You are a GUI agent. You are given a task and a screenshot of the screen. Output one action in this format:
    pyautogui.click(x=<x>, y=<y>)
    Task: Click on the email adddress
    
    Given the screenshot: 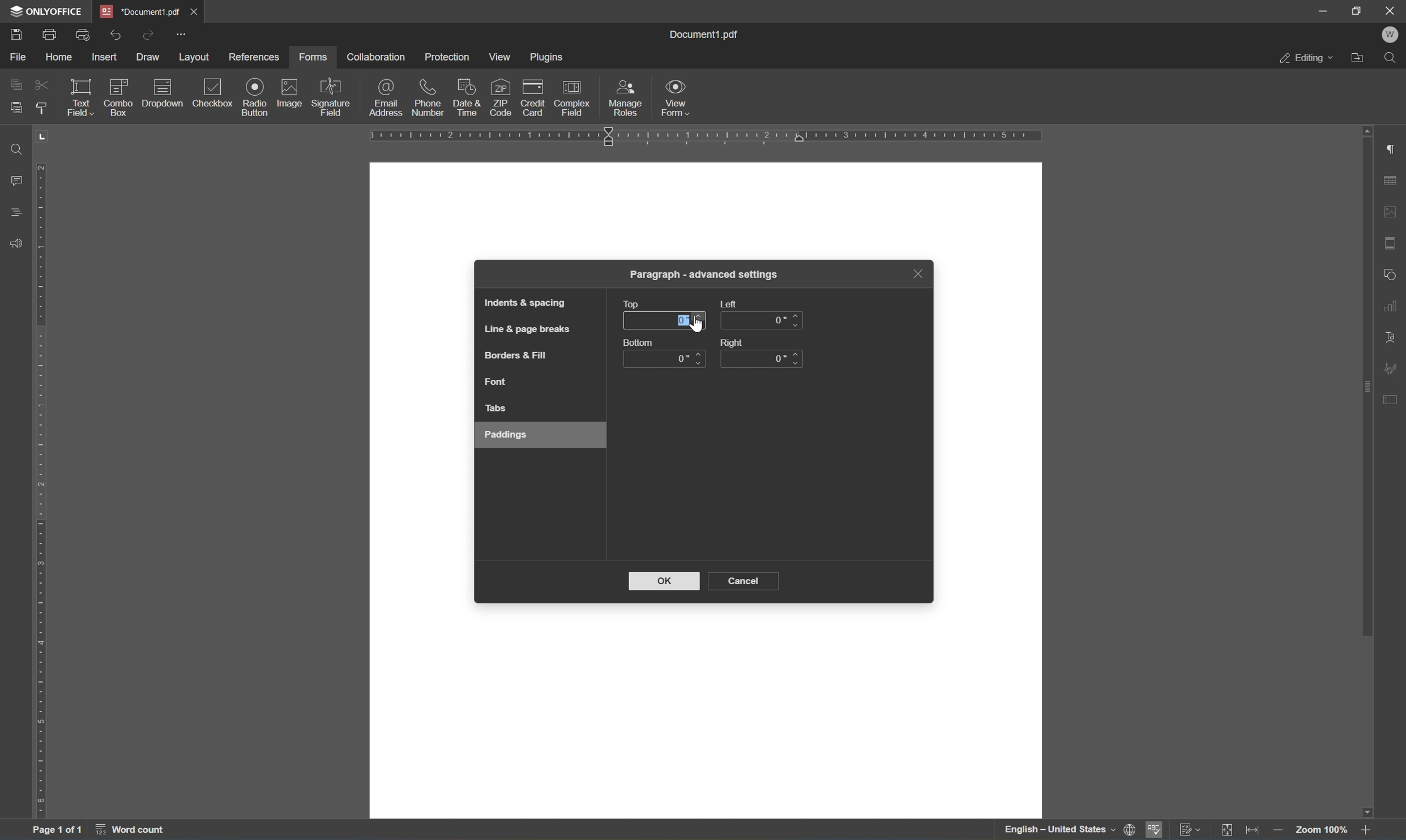 What is the action you would take?
    pyautogui.click(x=385, y=97)
    